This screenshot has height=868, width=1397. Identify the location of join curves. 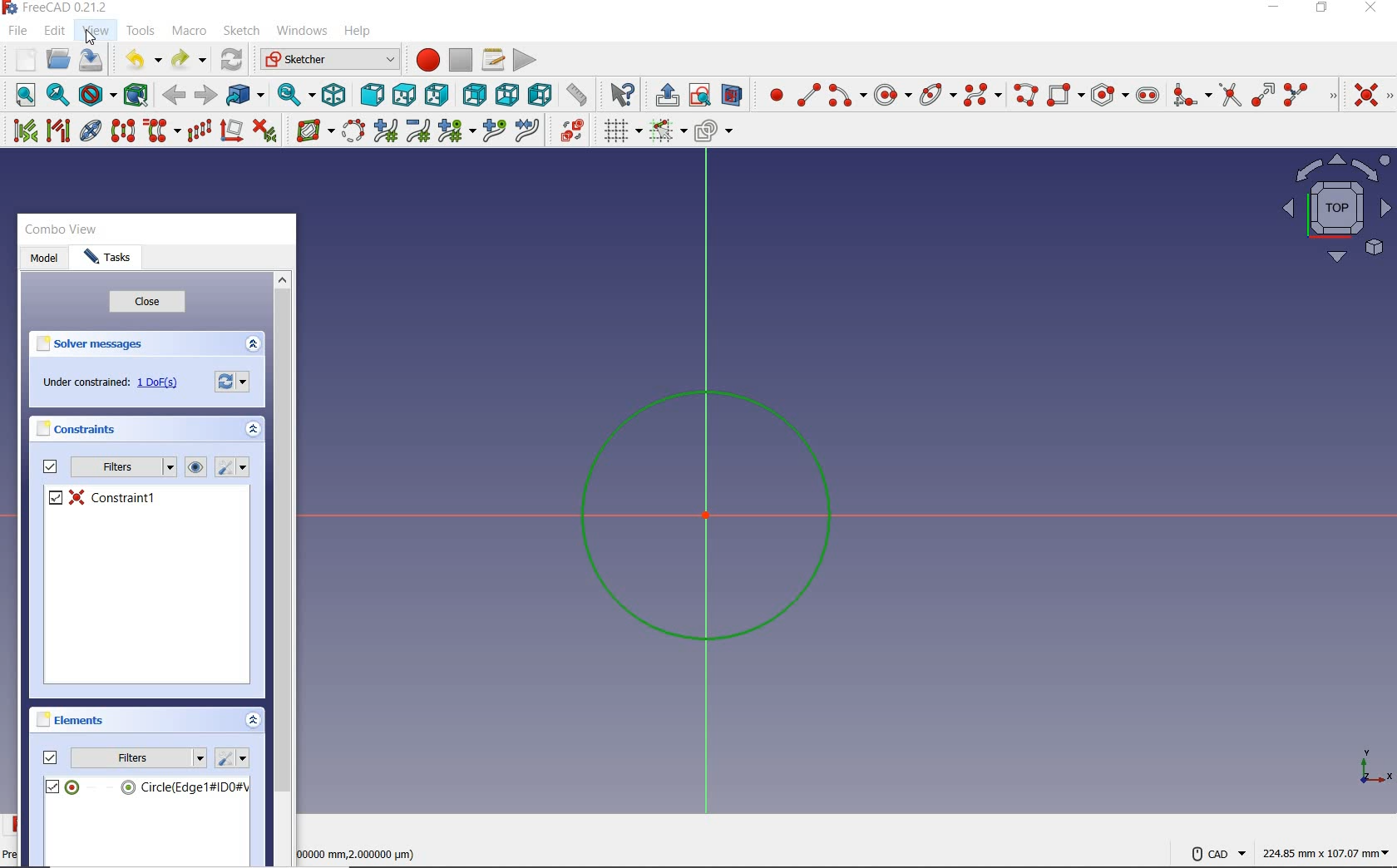
(526, 131).